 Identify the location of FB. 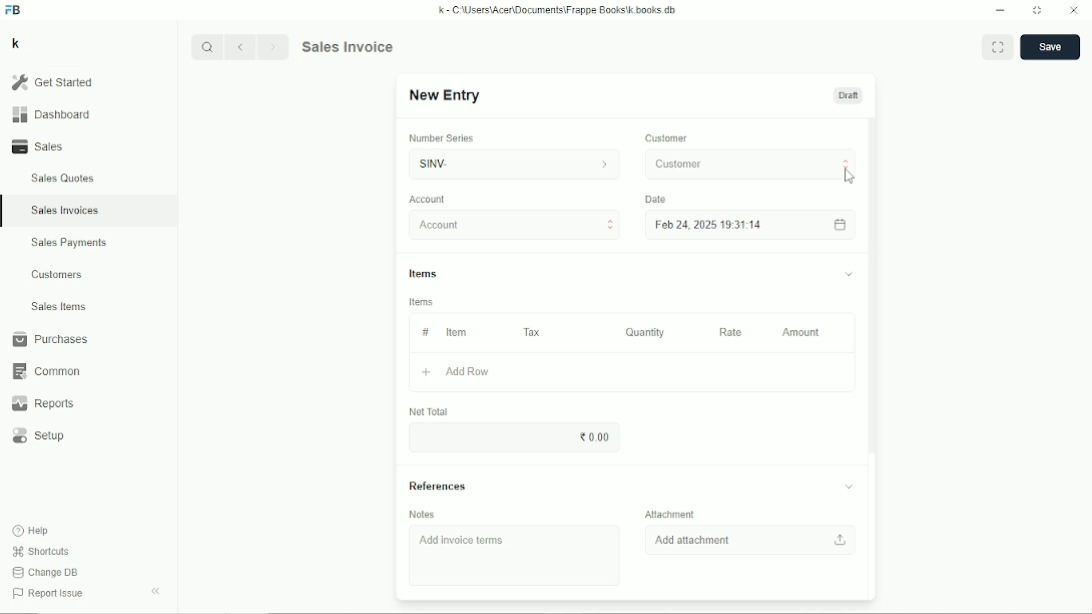
(14, 10).